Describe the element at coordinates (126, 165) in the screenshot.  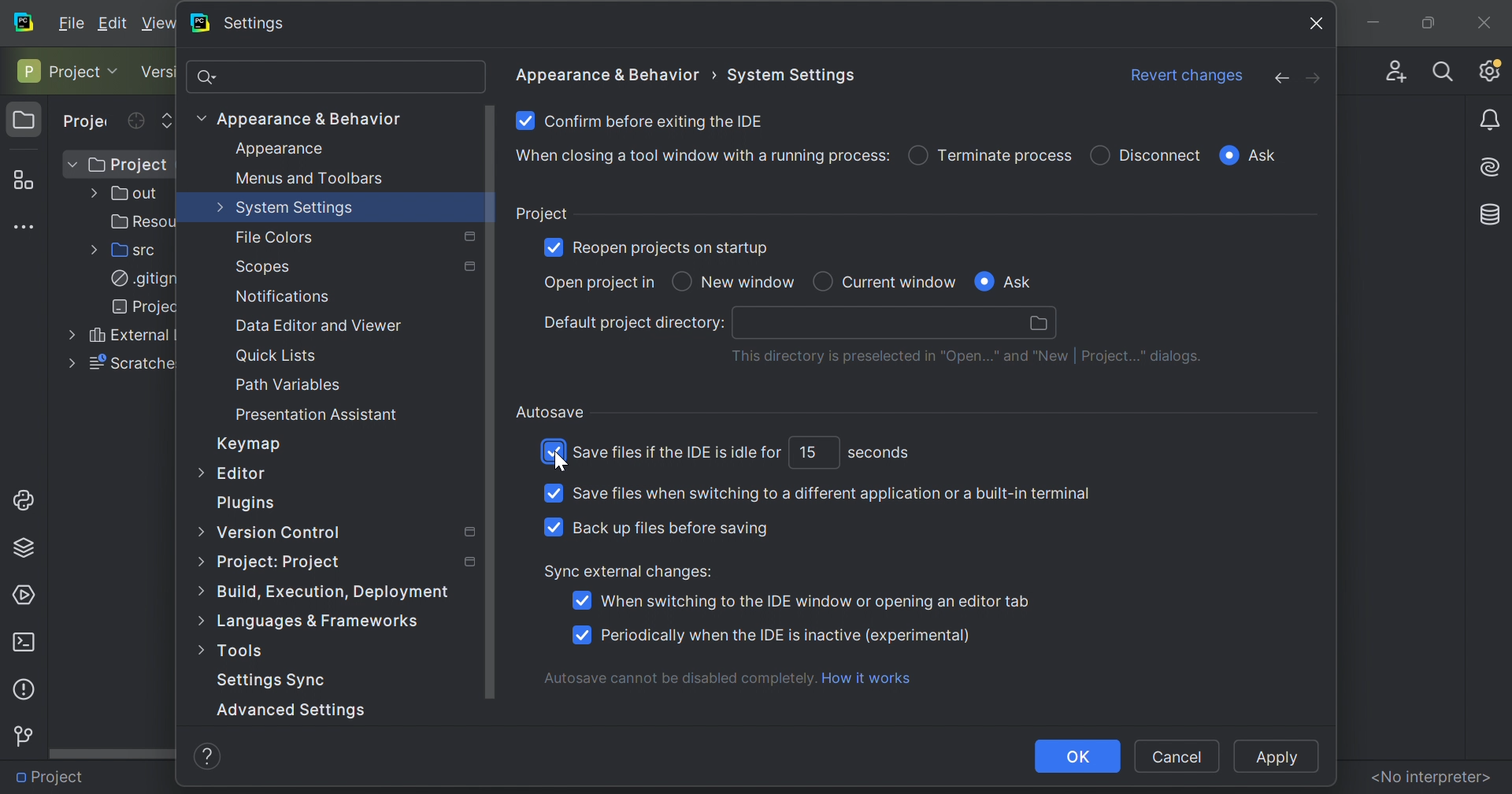
I see `Project` at that location.